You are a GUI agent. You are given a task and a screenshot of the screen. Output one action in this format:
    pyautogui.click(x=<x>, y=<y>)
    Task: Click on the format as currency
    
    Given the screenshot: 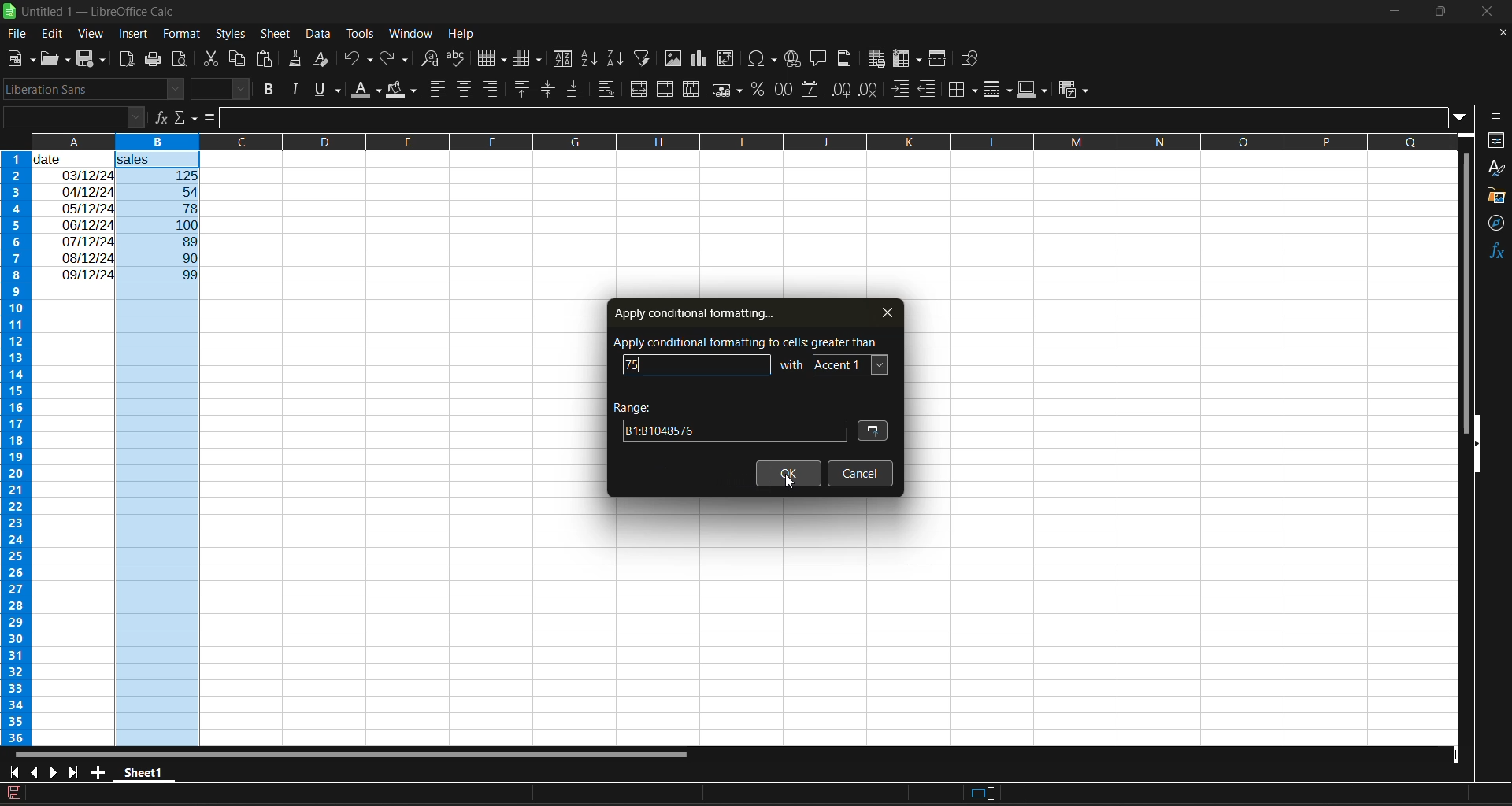 What is the action you would take?
    pyautogui.click(x=727, y=93)
    